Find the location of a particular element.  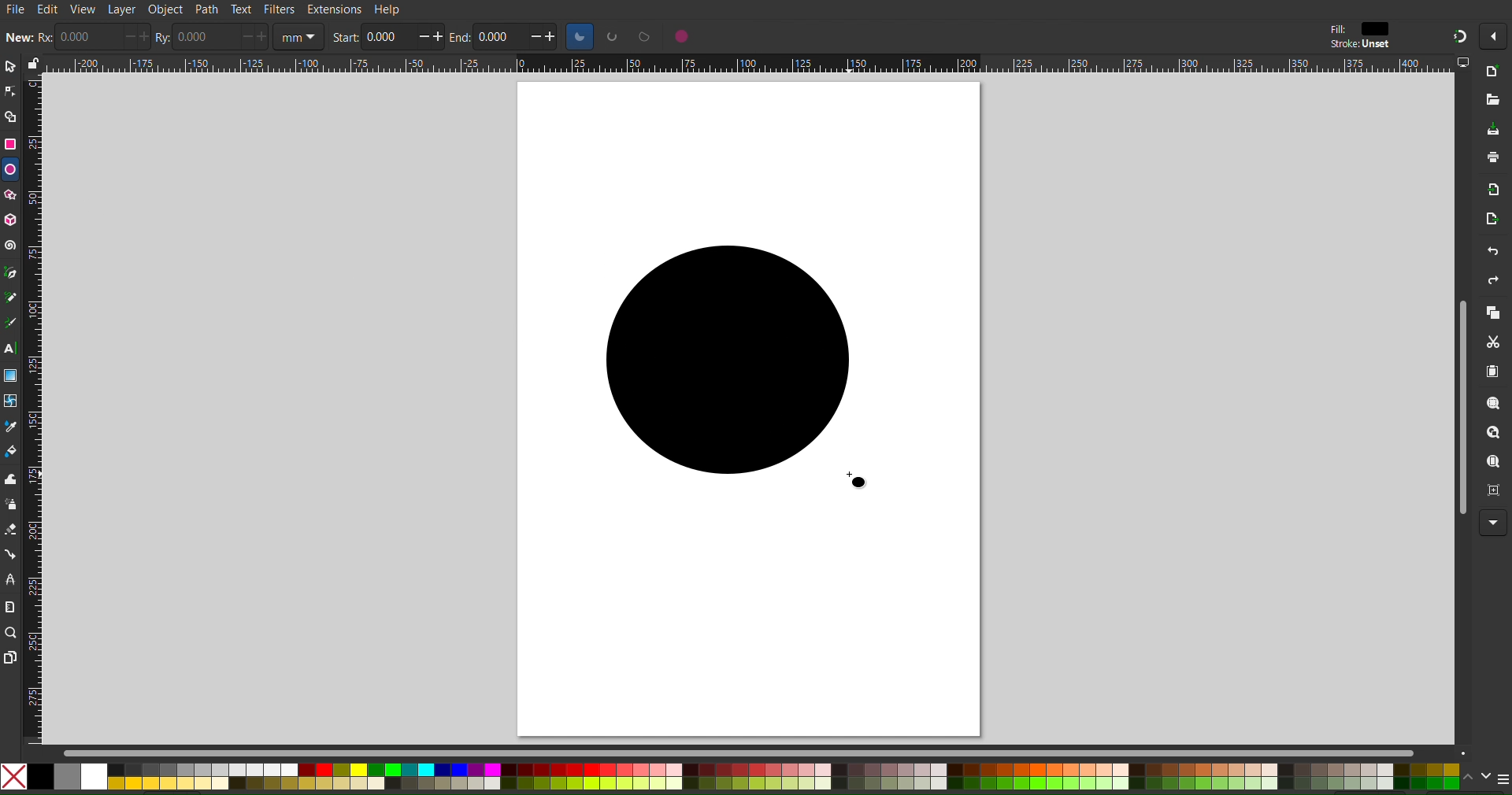

Text is located at coordinates (241, 9).